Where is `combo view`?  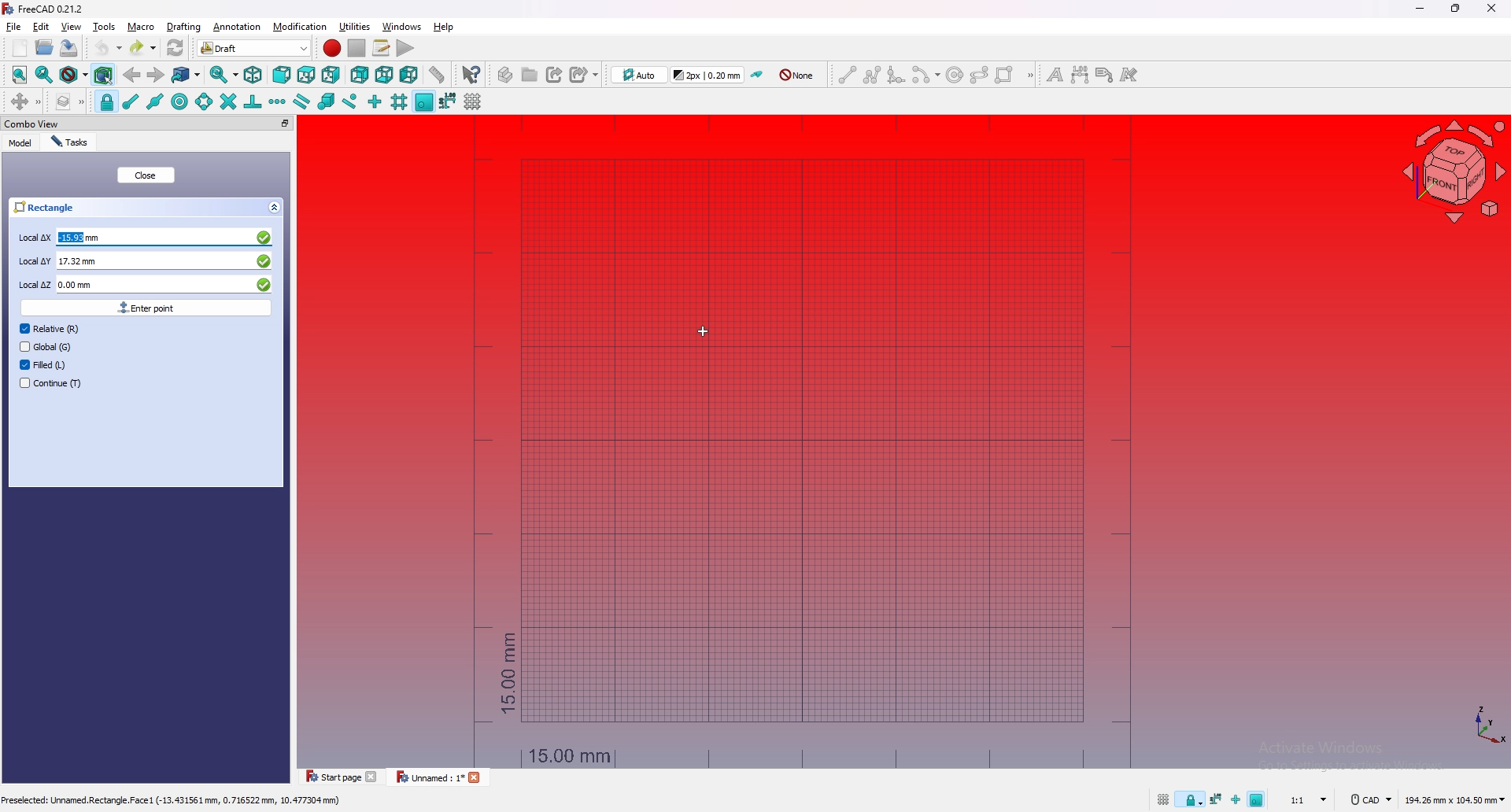 combo view is located at coordinates (31, 124).